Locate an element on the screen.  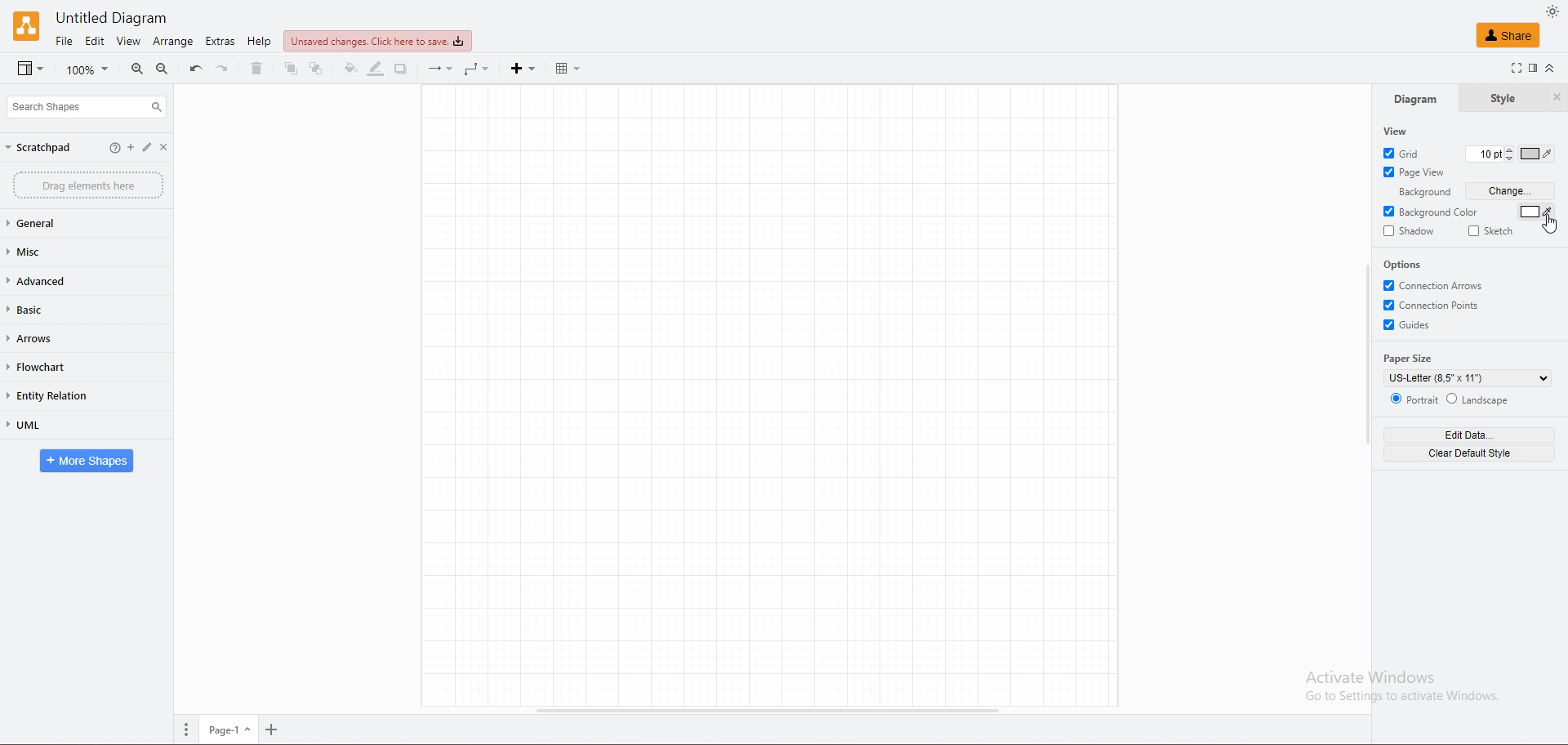
background color is located at coordinates (1432, 212).